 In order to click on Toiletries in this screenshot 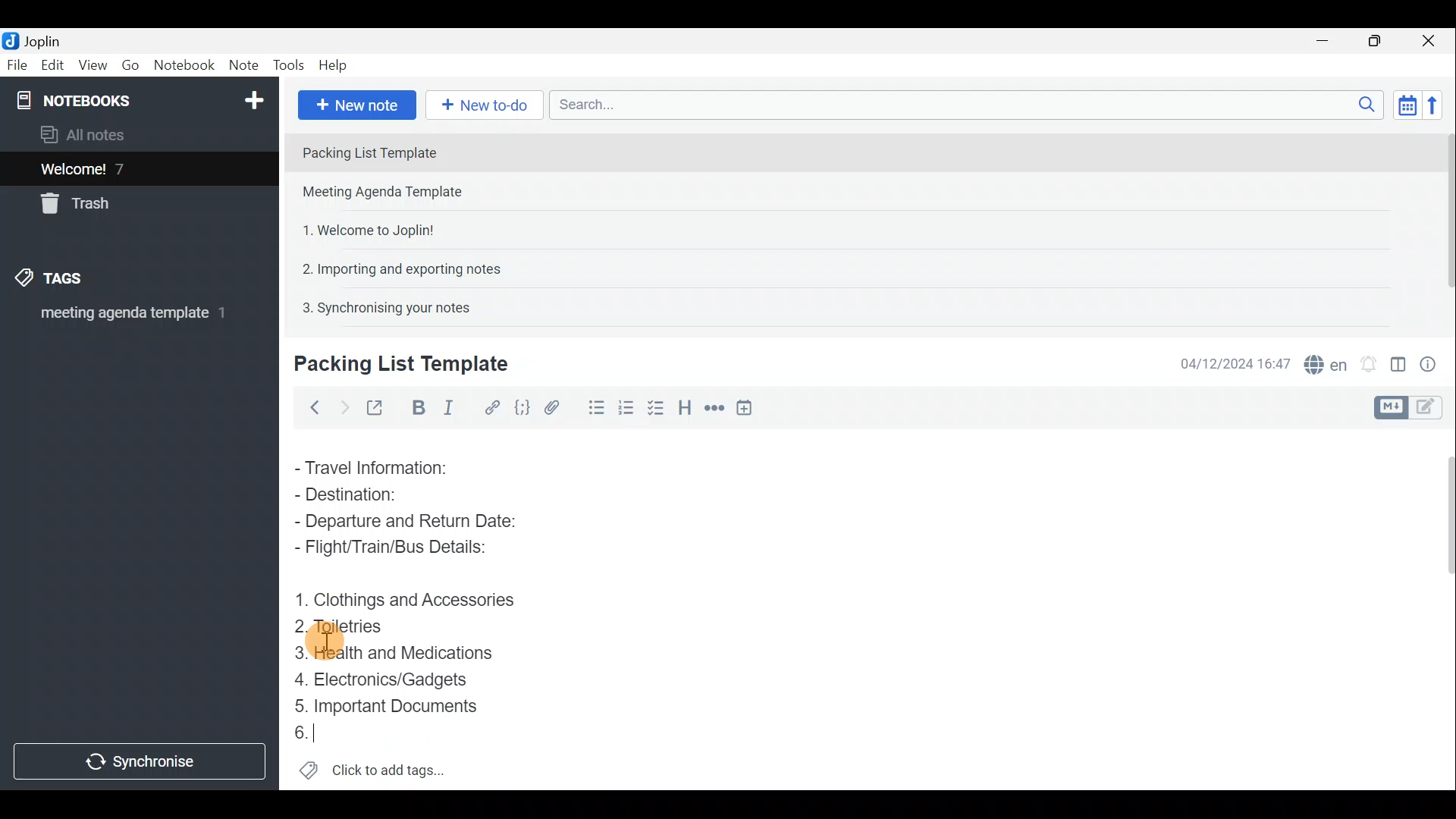, I will do `click(349, 629)`.